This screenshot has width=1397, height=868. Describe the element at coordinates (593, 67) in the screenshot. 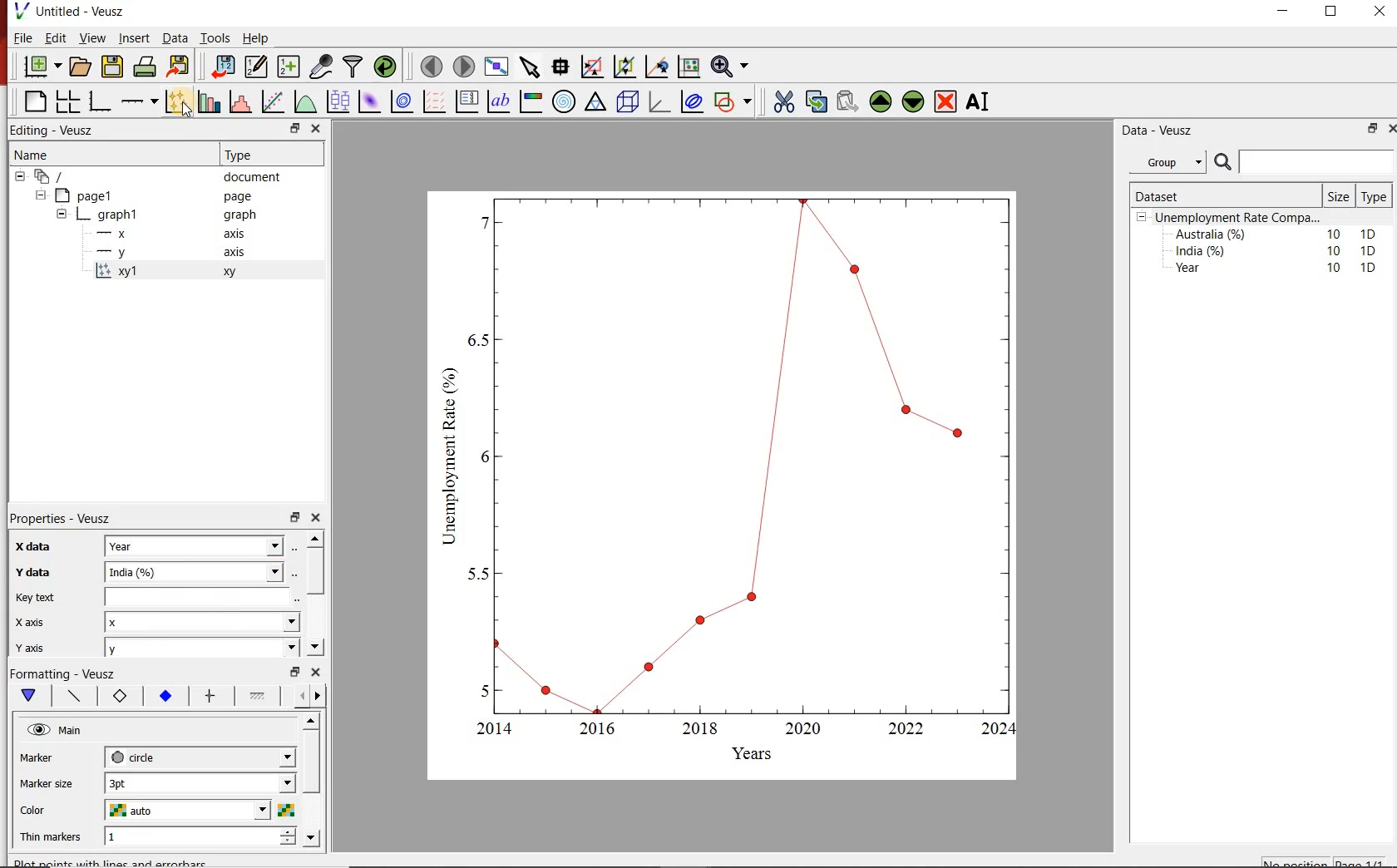

I see `click or draw rectangle on the zoom graph axes` at that location.